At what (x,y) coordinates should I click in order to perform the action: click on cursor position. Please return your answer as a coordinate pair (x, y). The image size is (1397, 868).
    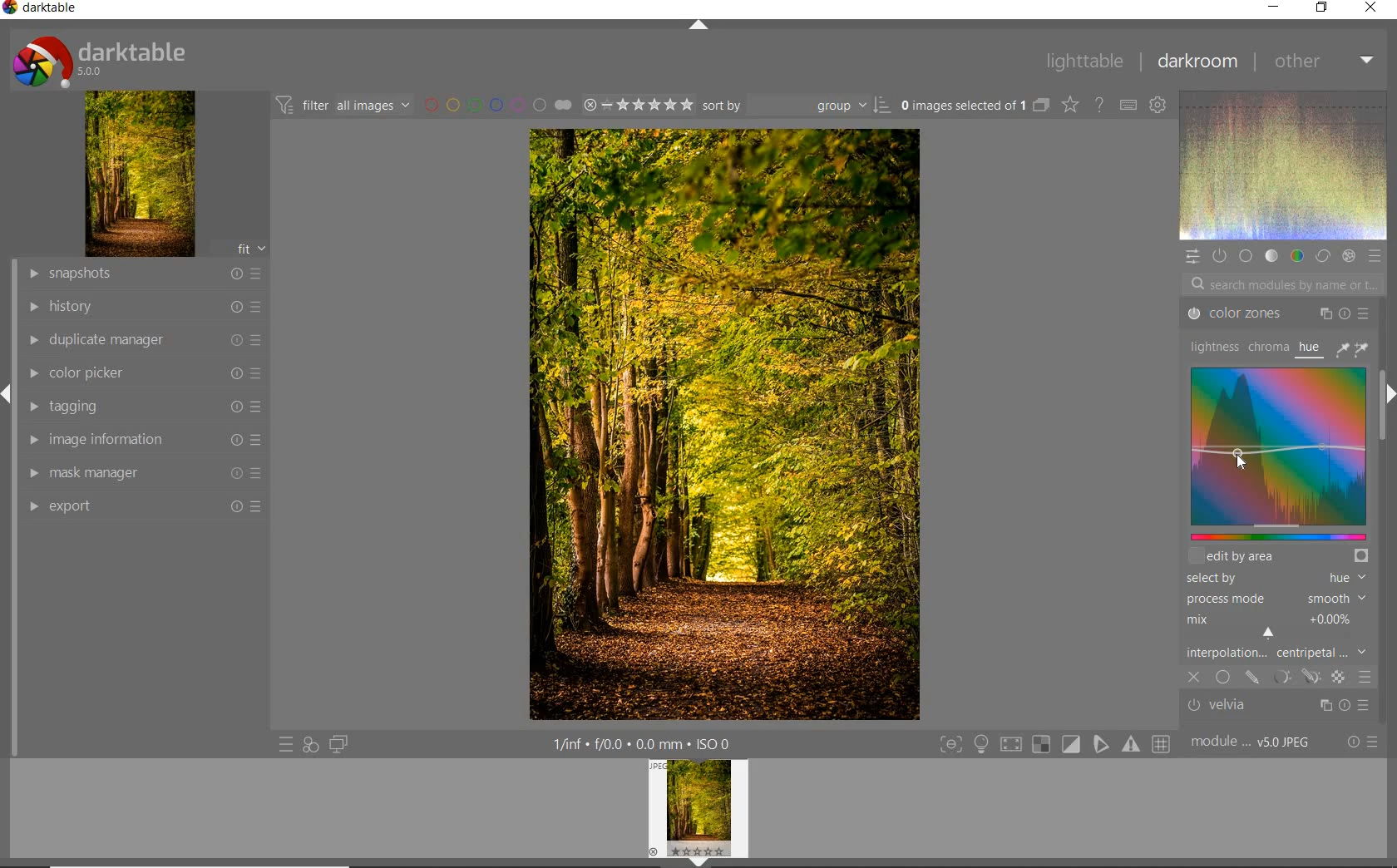
    Looking at the image, I should click on (1241, 460).